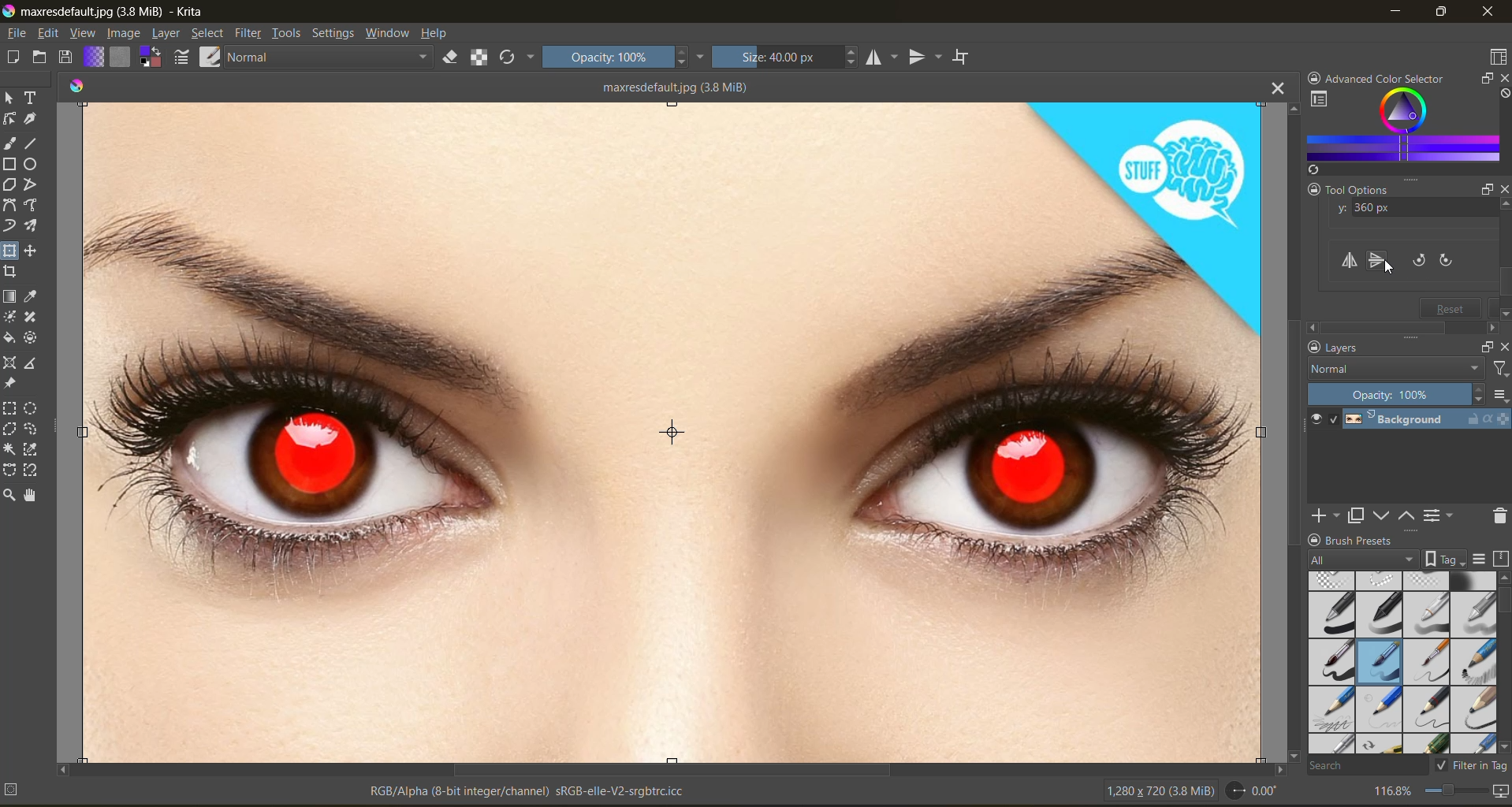 This screenshot has height=807, width=1512. I want to click on opacity, so click(622, 59).